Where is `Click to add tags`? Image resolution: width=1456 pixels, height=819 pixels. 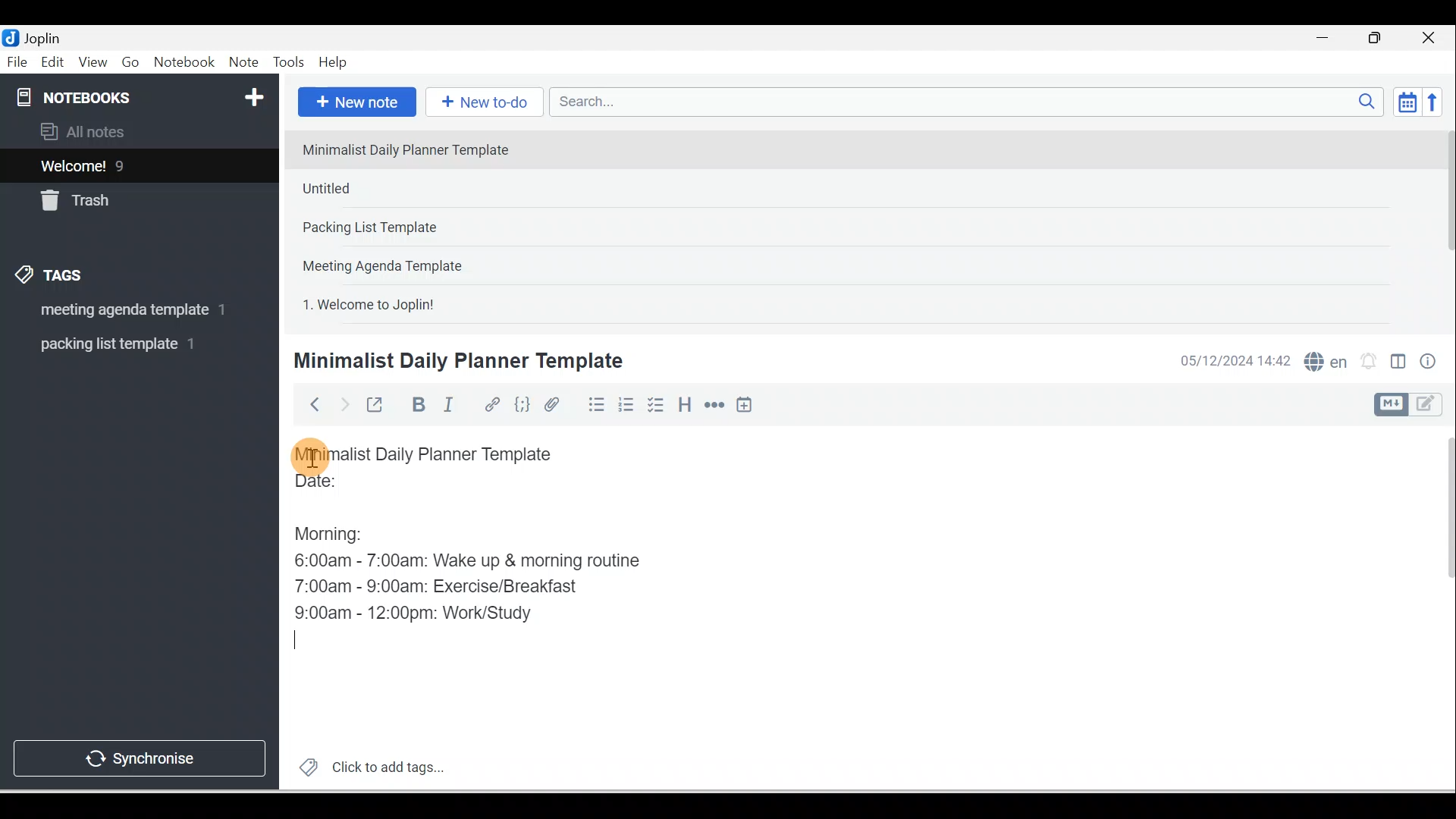 Click to add tags is located at coordinates (366, 765).